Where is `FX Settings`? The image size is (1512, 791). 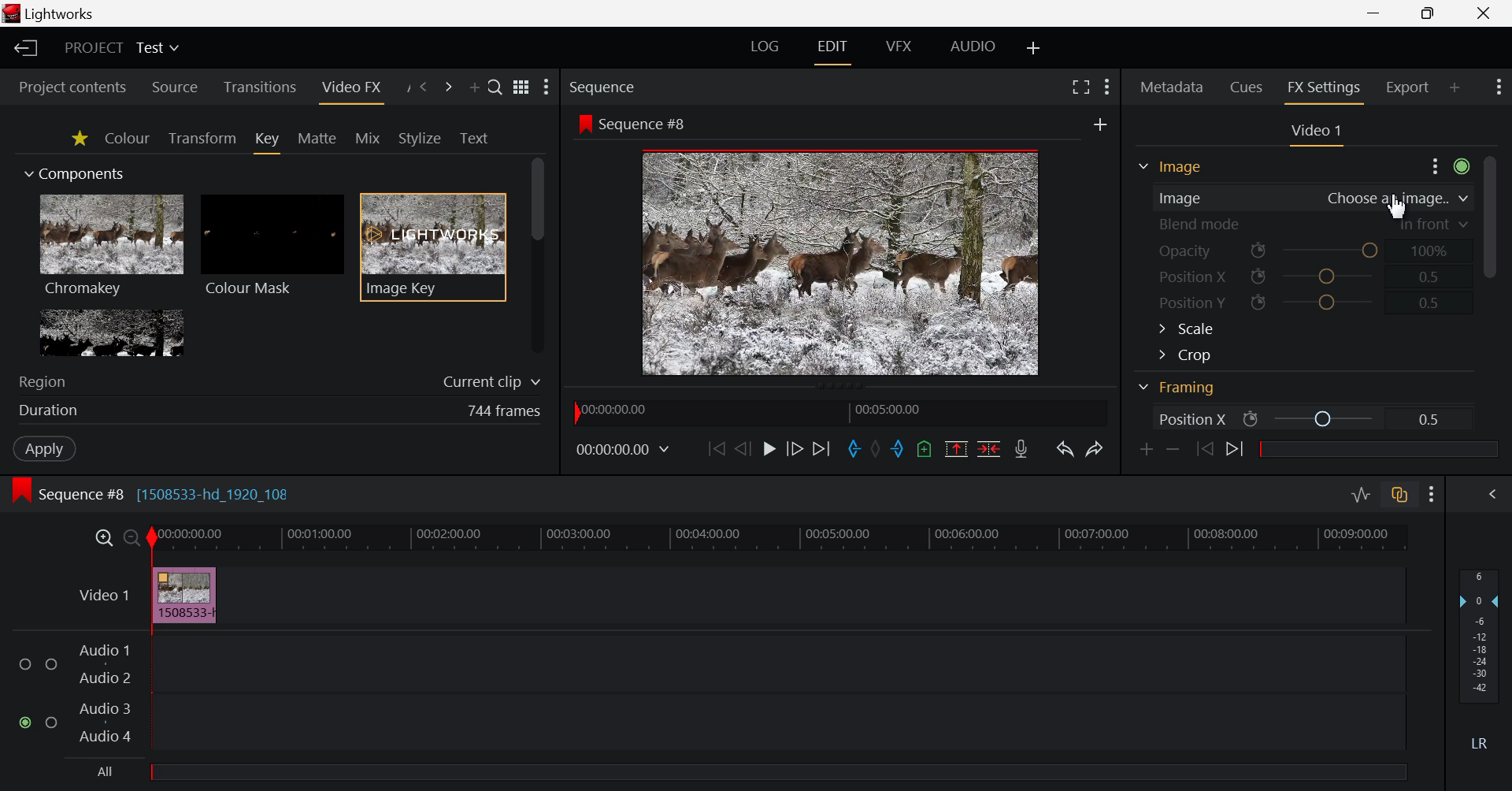 FX Settings is located at coordinates (1326, 89).